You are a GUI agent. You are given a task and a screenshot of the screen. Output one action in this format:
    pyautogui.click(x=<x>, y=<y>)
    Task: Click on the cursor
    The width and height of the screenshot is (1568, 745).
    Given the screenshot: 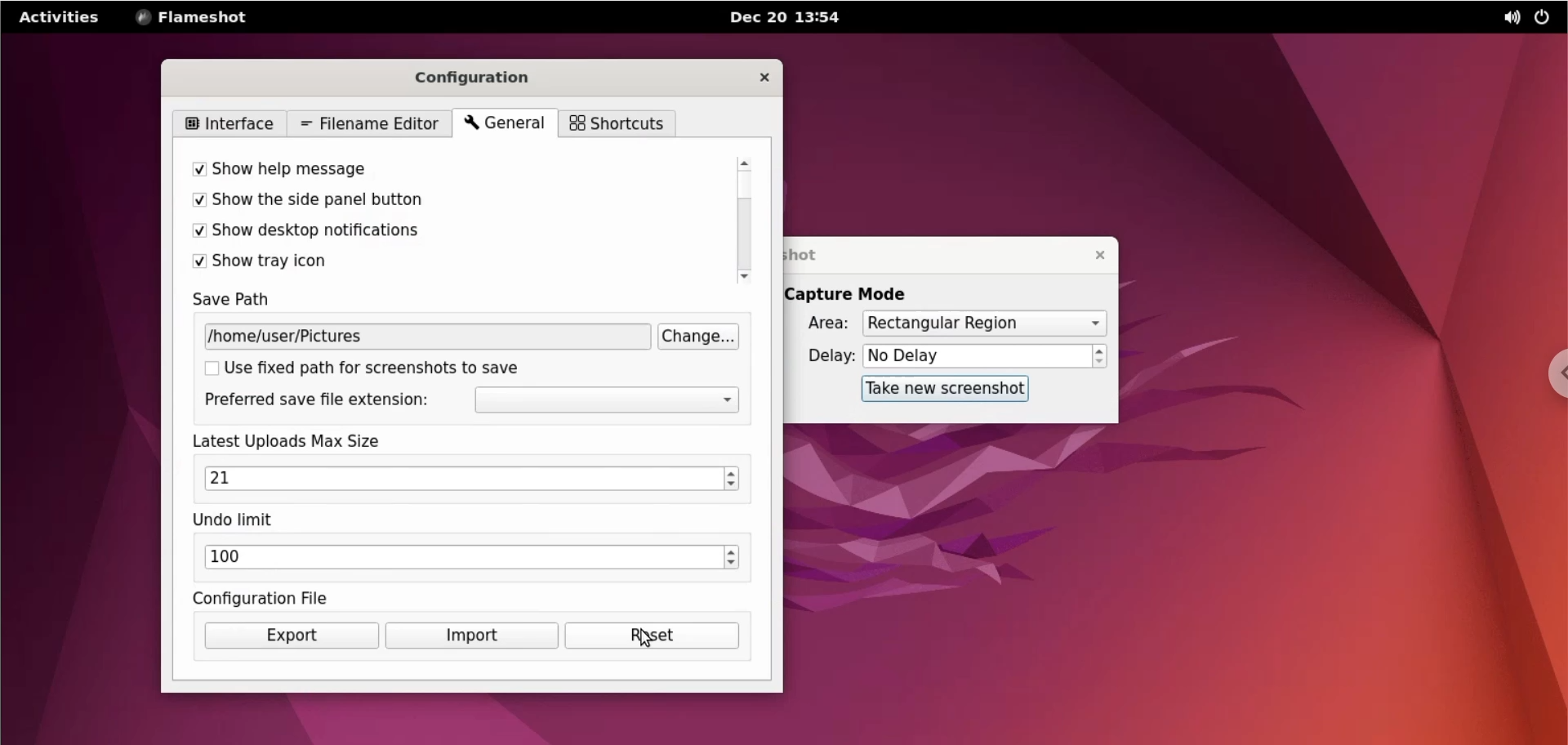 What is the action you would take?
    pyautogui.click(x=641, y=635)
    